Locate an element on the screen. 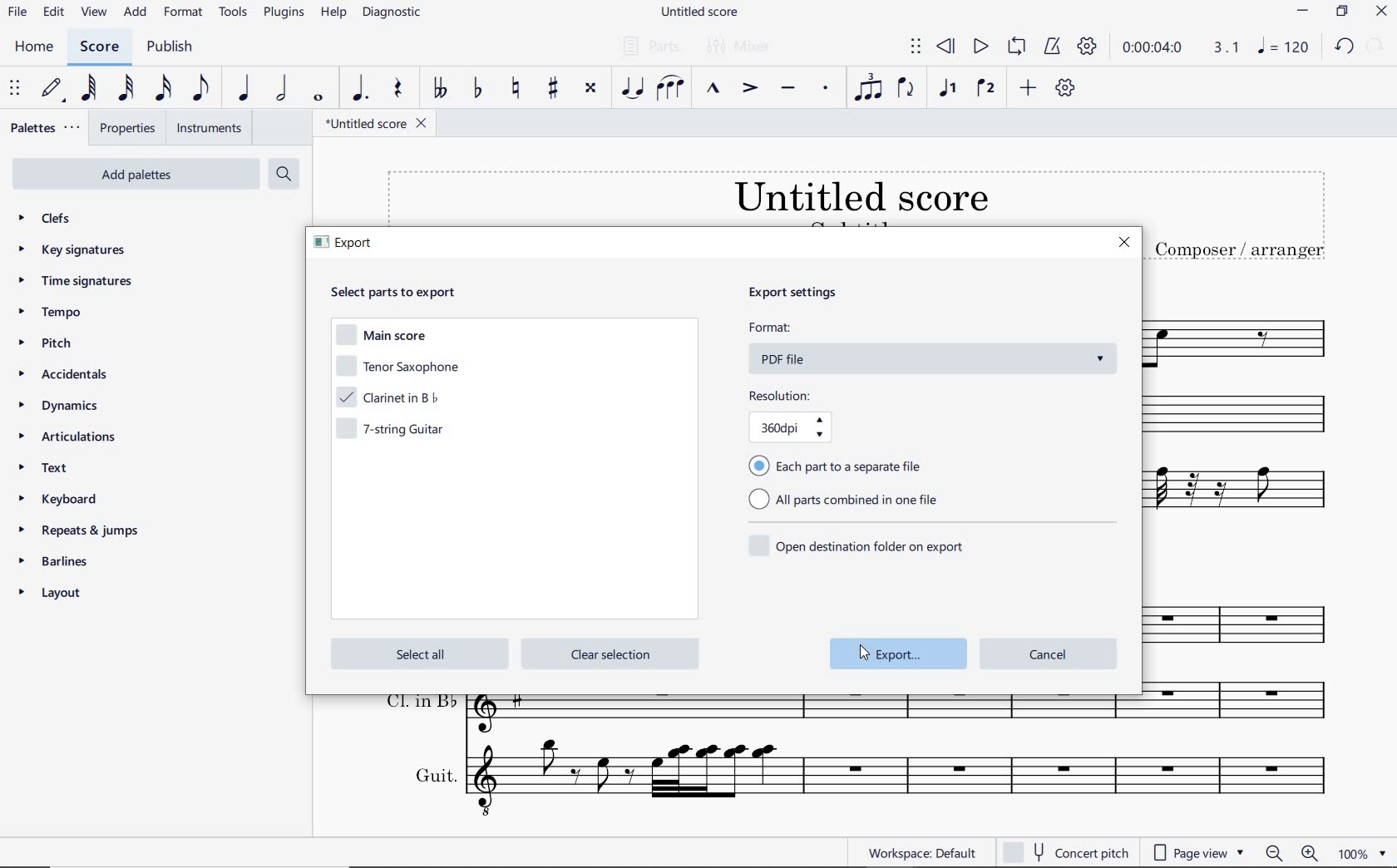 Image resolution: width=1397 pixels, height=868 pixels. PUBLISH is located at coordinates (175, 47).